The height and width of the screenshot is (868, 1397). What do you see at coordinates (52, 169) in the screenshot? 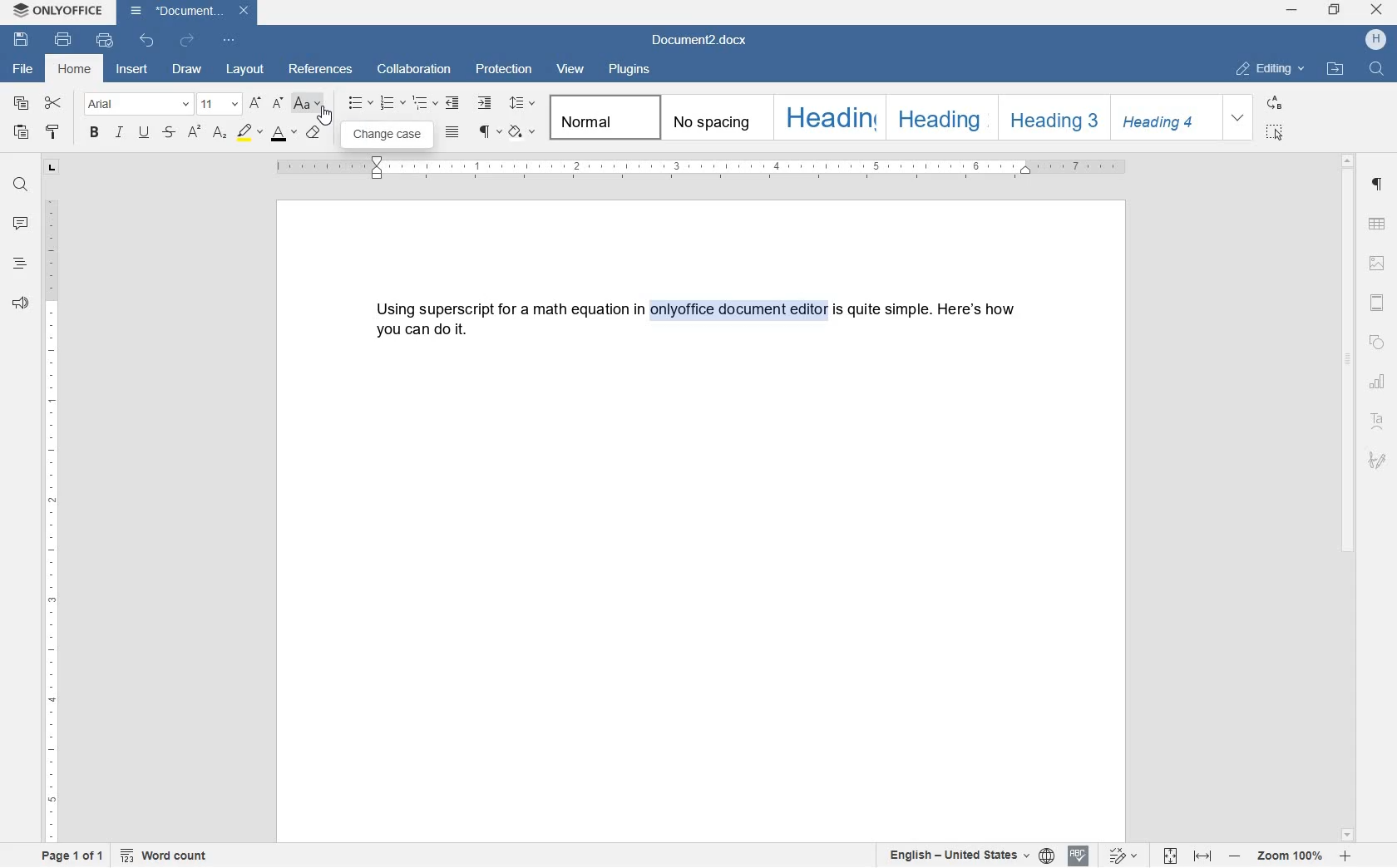
I see `tab` at bounding box center [52, 169].